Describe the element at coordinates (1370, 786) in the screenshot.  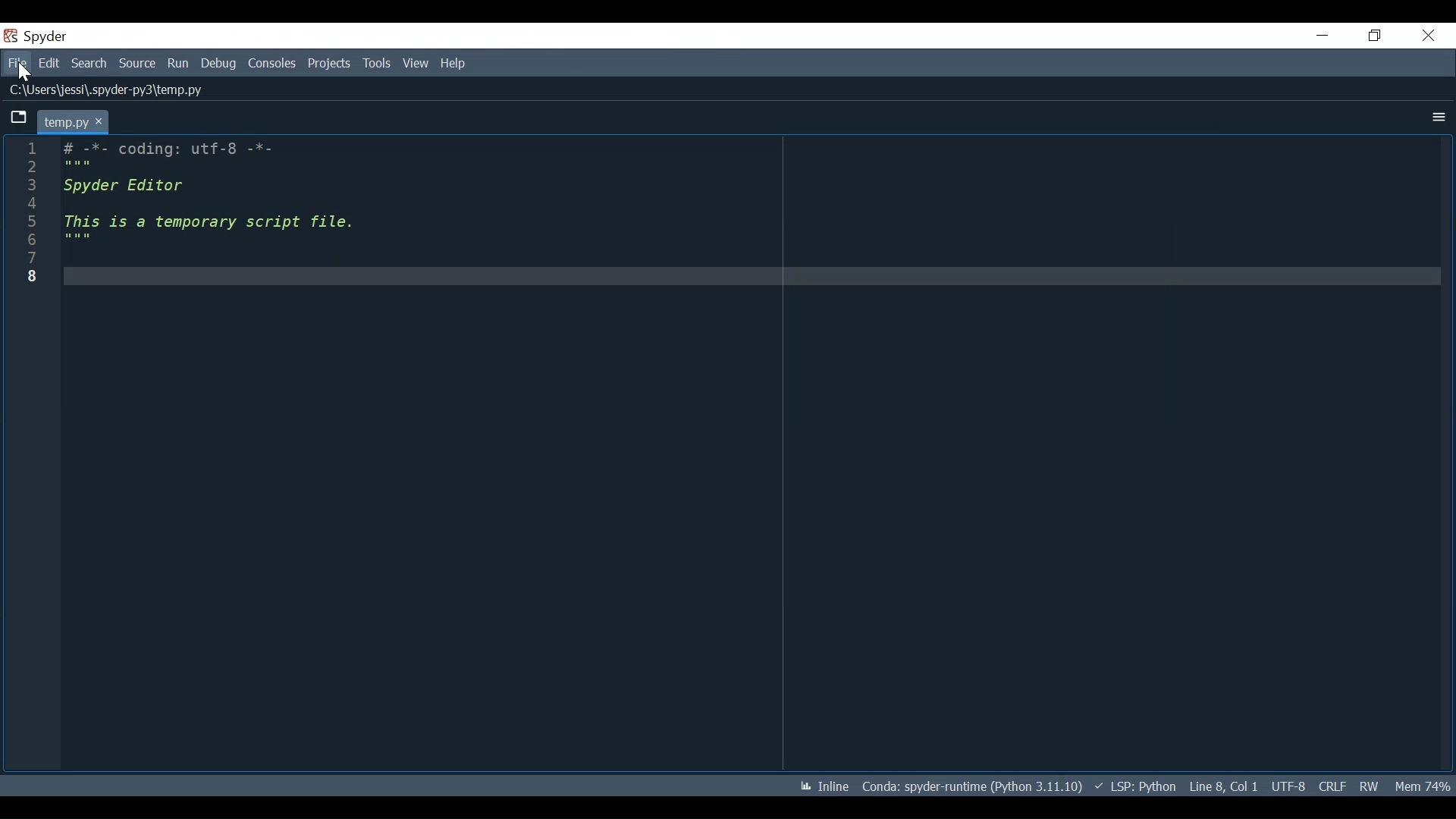
I see `File Permission` at that location.